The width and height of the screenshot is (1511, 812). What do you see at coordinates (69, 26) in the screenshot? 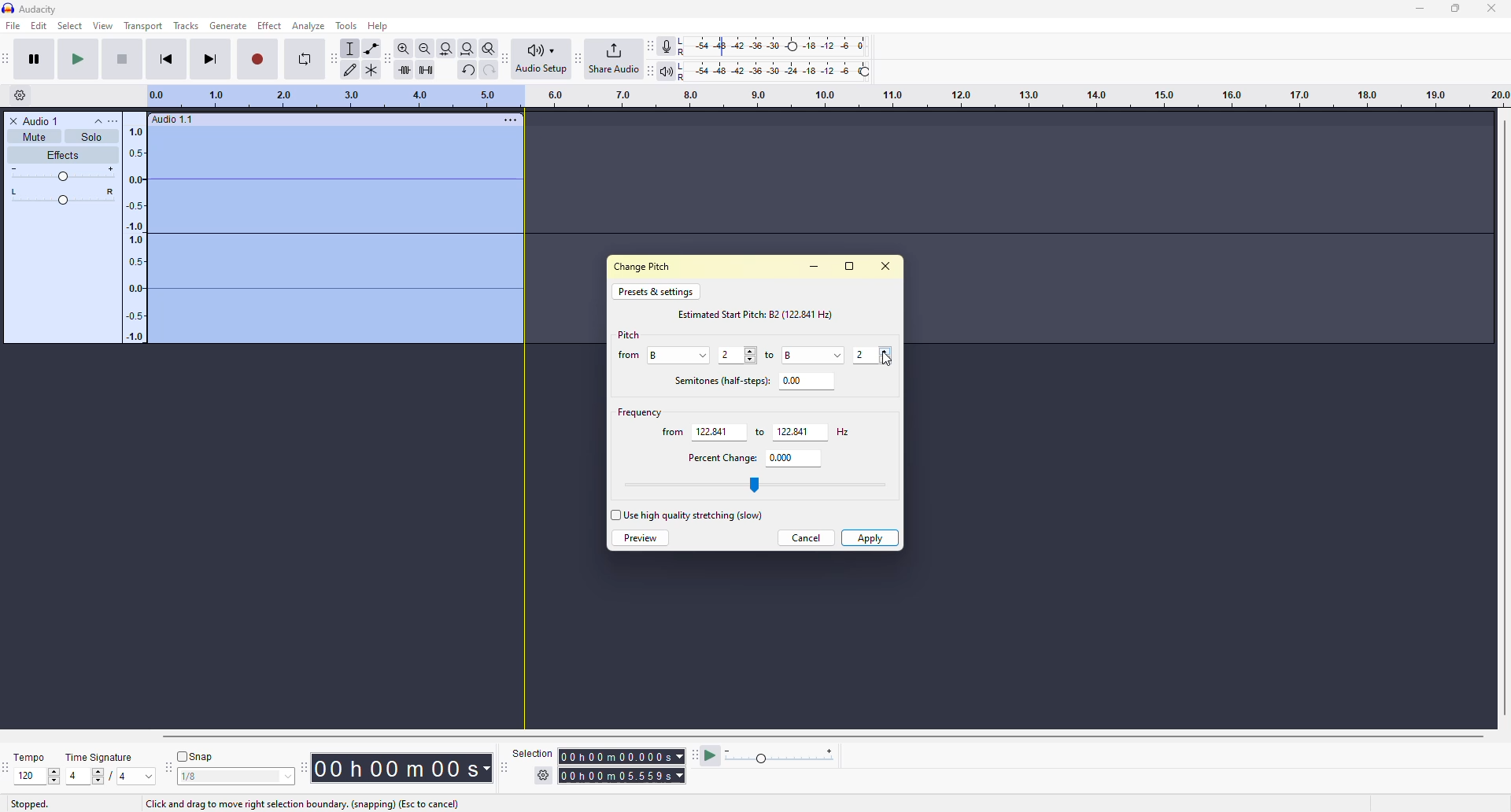
I see `select` at bounding box center [69, 26].